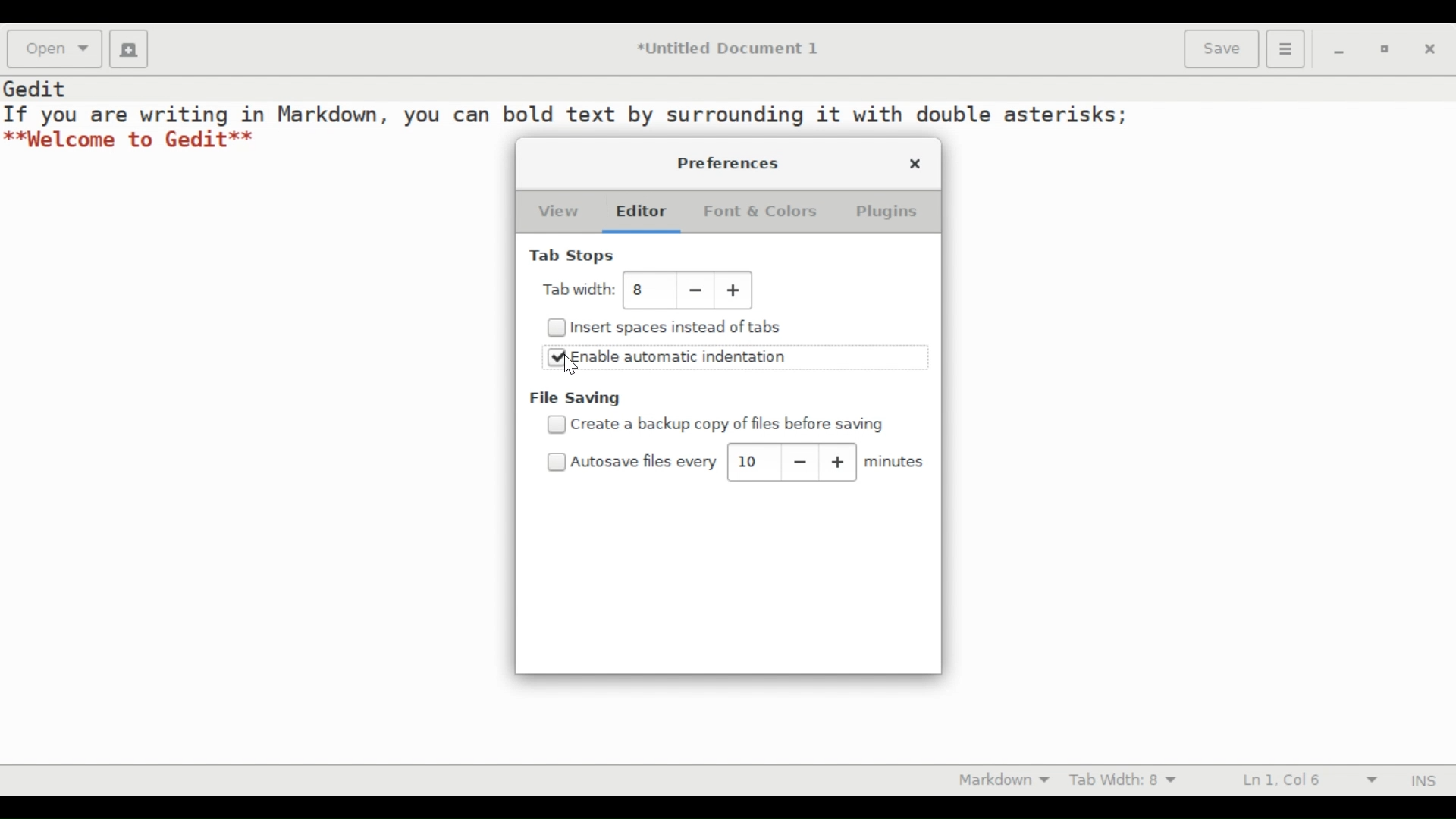 This screenshot has height=819, width=1456. I want to click on Save, so click(1222, 49).